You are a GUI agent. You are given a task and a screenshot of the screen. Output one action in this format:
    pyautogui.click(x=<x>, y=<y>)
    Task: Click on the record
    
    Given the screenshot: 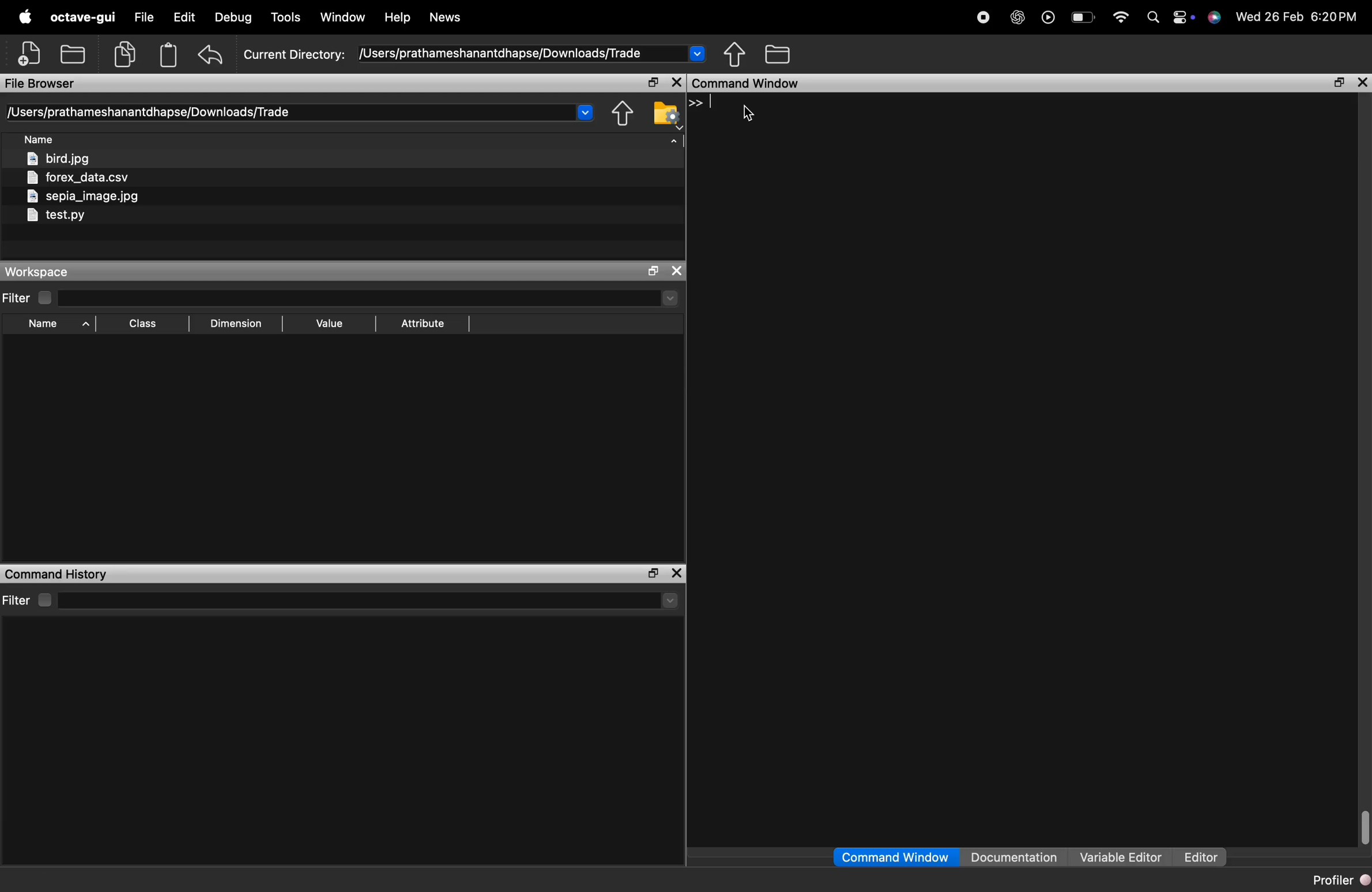 What is the action you would take?
    pyautogui.click(x=983, y=17)
    